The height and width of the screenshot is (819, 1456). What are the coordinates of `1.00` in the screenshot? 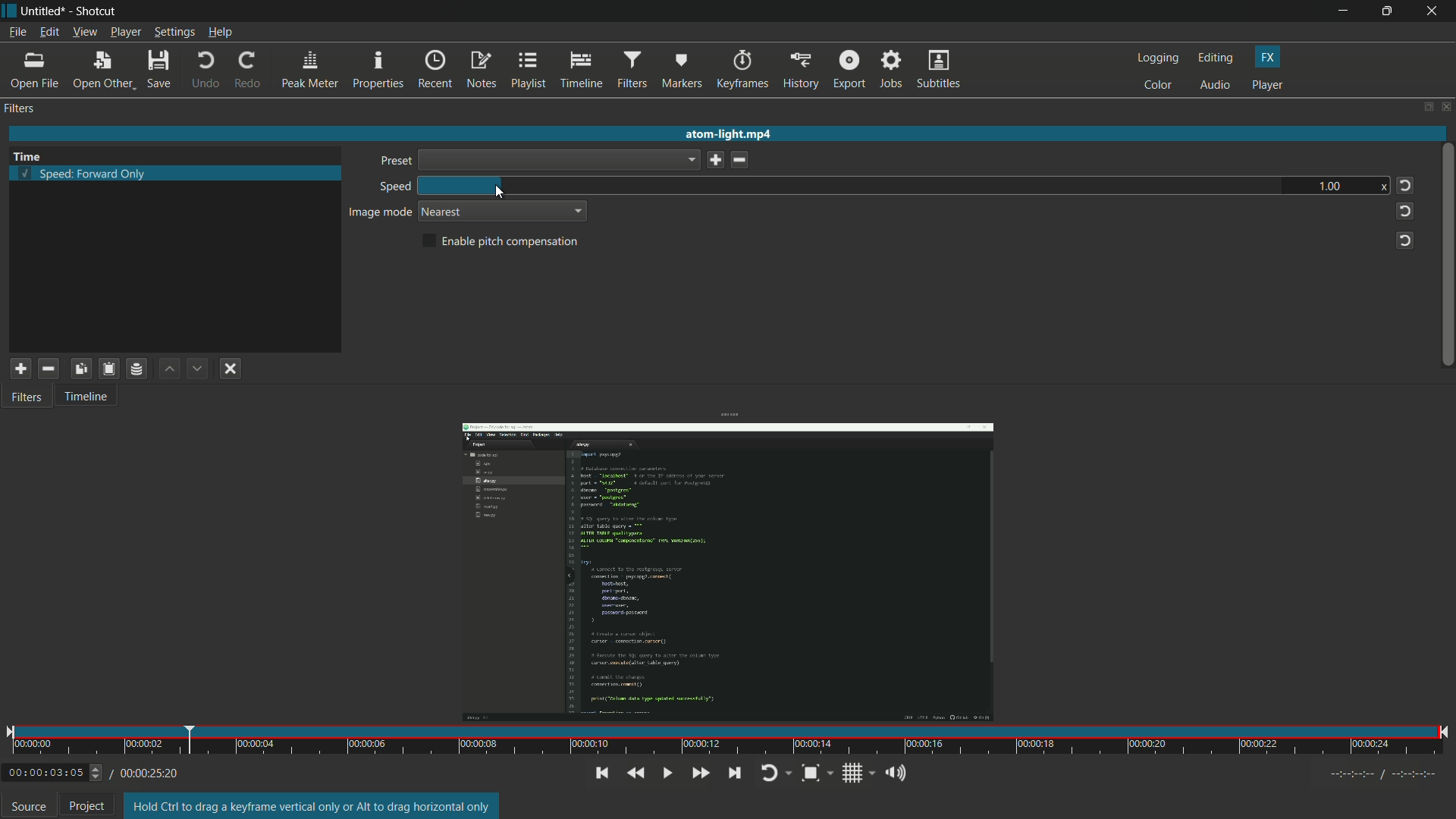 It's located at (1329, 187).